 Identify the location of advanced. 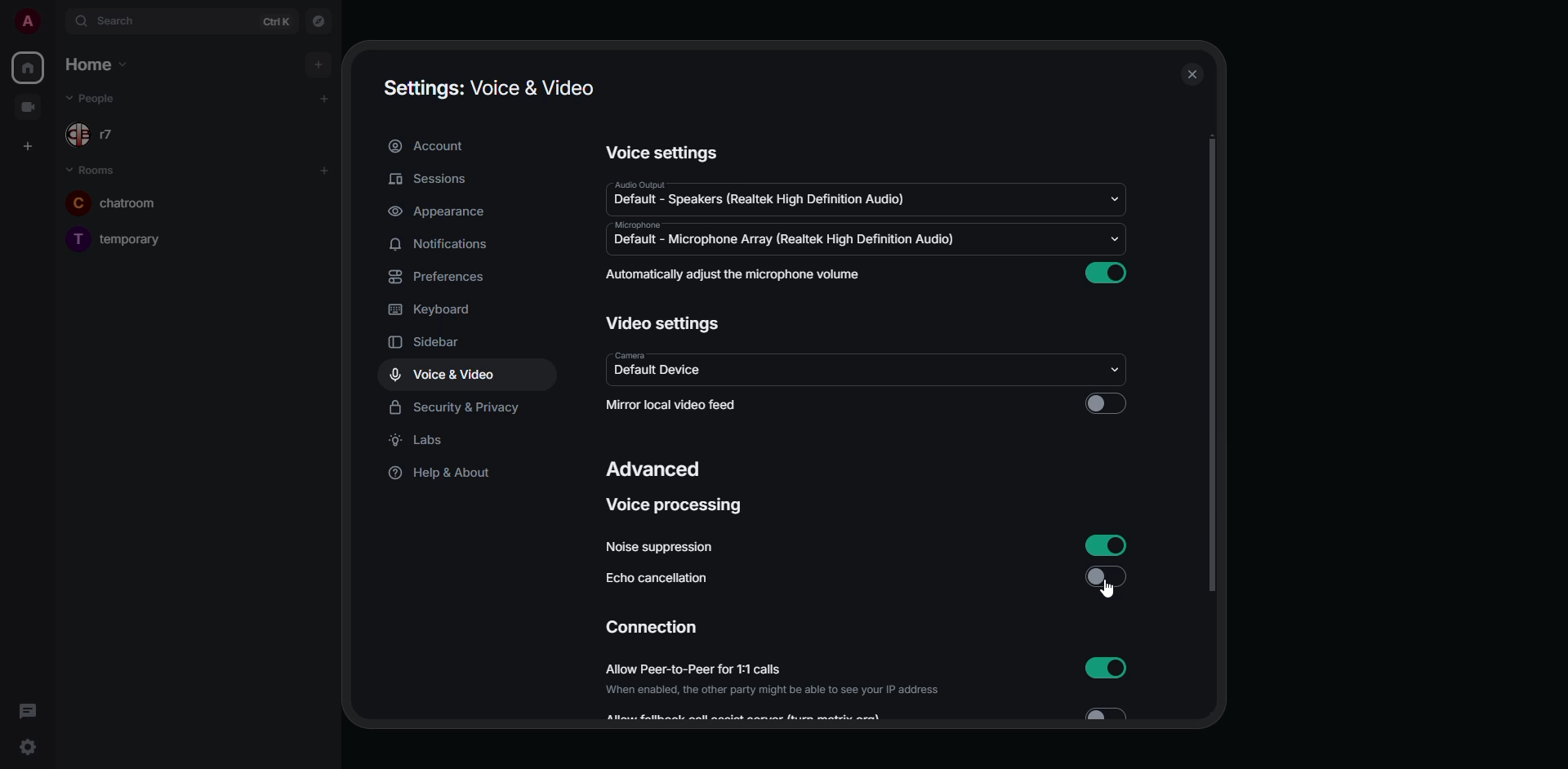
(657, 471).